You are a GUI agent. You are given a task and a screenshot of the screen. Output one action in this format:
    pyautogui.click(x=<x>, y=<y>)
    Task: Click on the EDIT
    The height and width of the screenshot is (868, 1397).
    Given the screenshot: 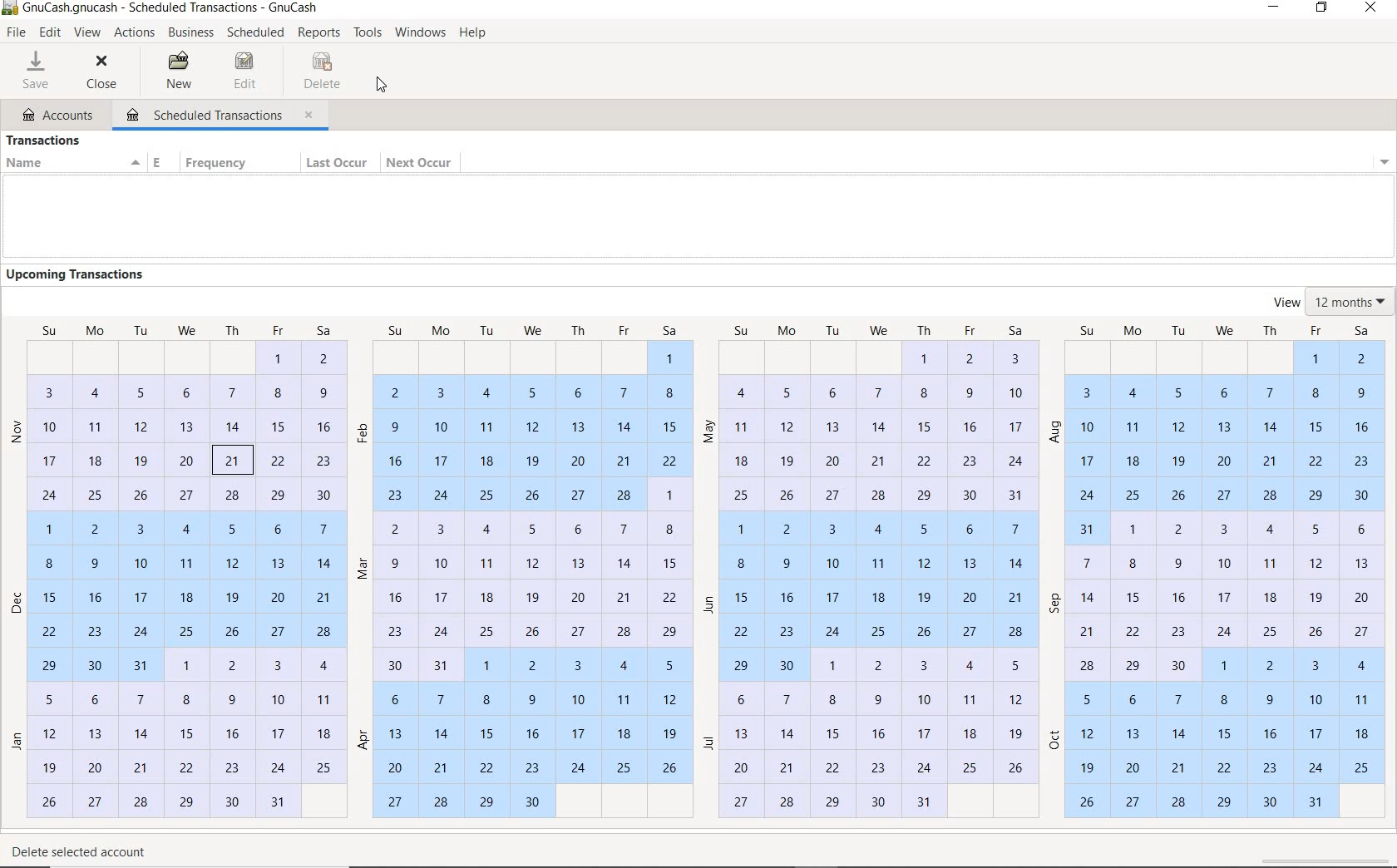 What is the action you would take?
    pyautogui.click(x=248, y=72)
    